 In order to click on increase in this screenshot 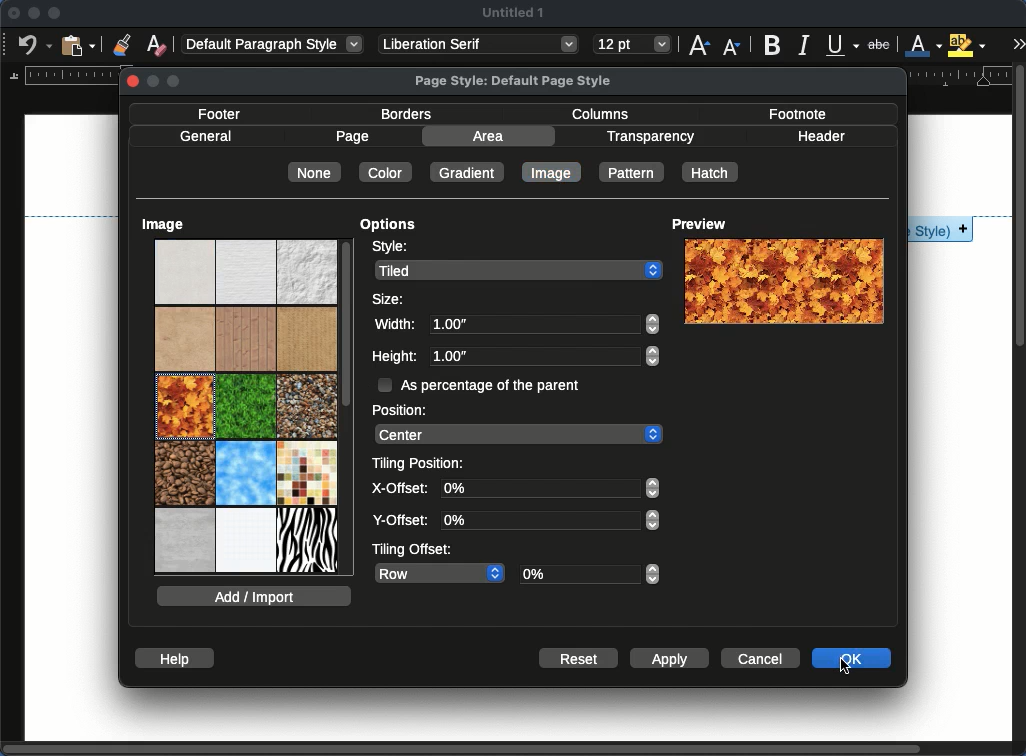, I will do `click(700, 45)`.